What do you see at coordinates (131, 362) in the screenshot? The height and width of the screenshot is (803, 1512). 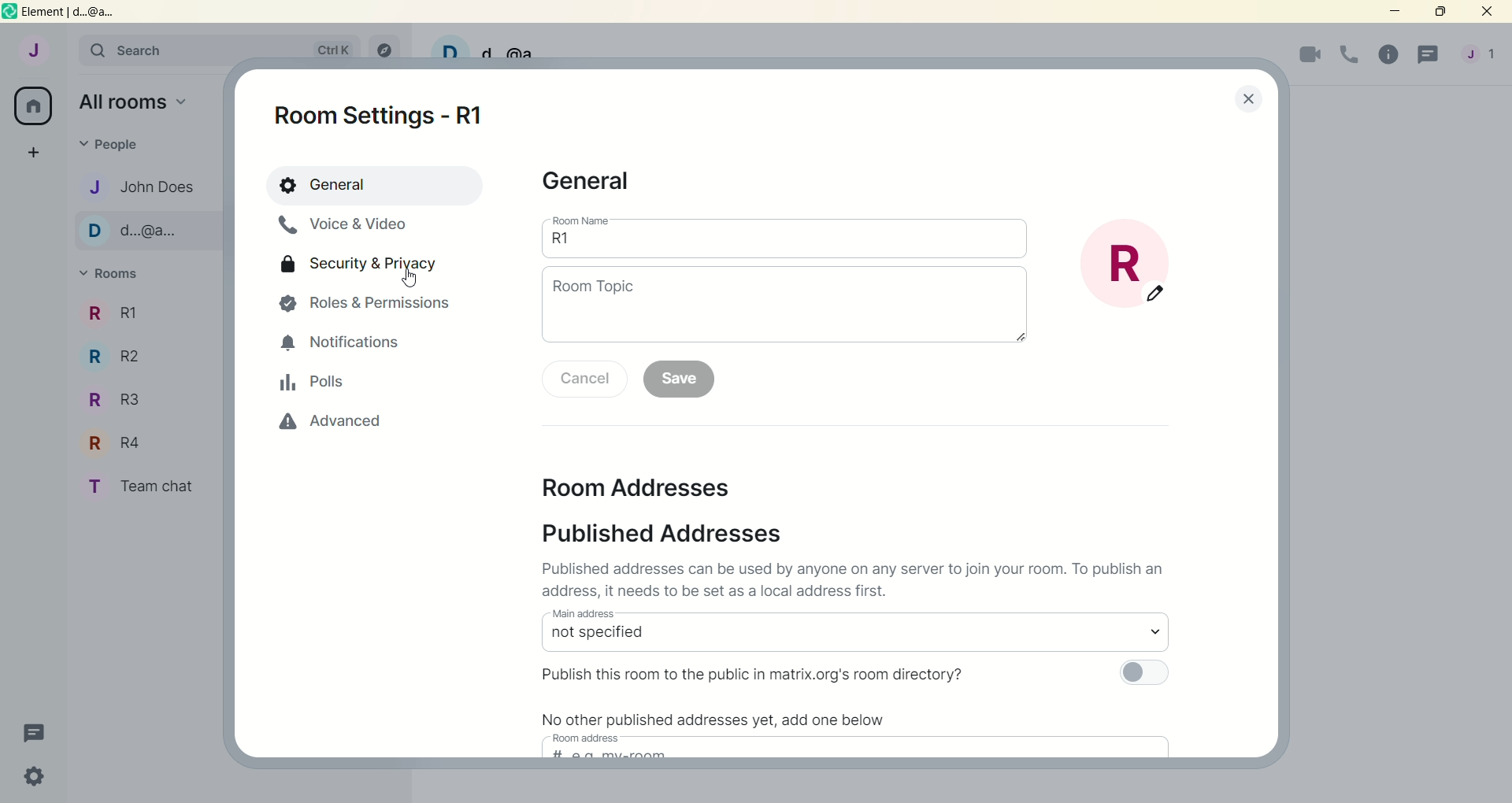 I see `R R2` at bounding box center [131, 362].